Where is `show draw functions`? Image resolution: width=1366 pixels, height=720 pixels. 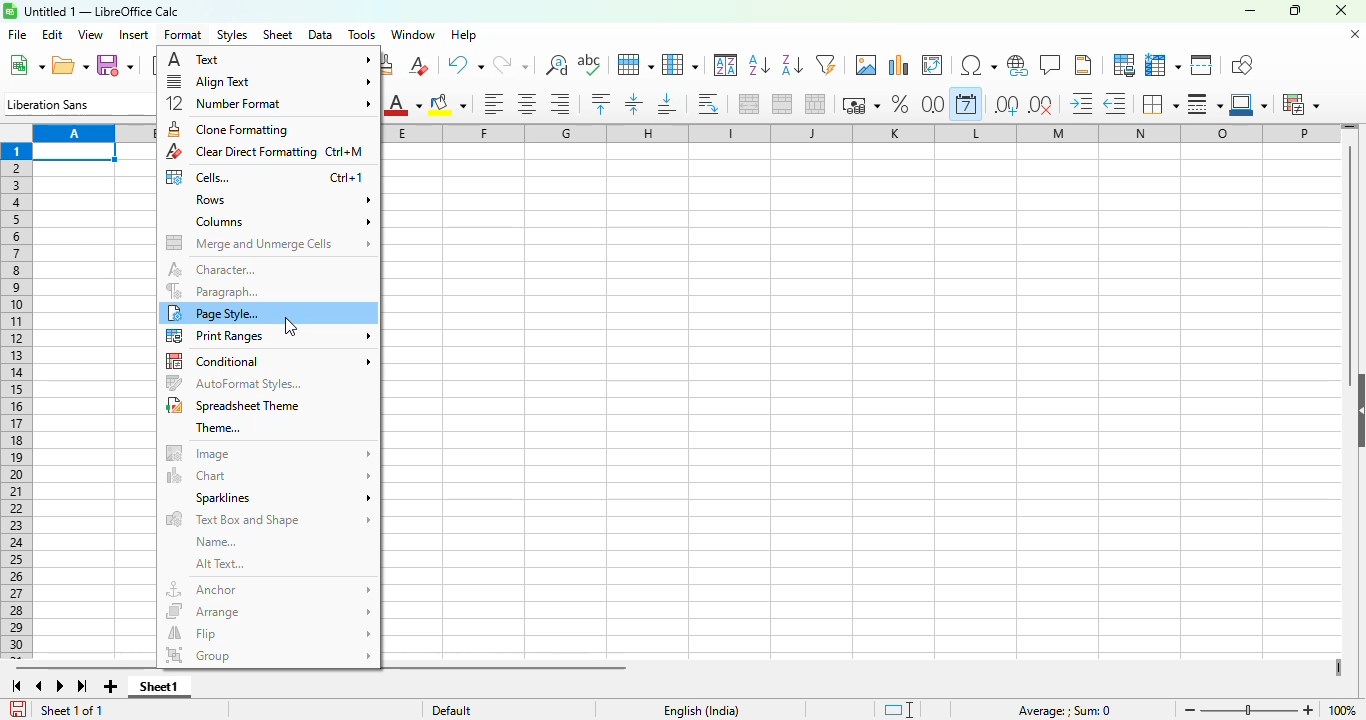
show draw functions is located at coordinates (1241, 66).